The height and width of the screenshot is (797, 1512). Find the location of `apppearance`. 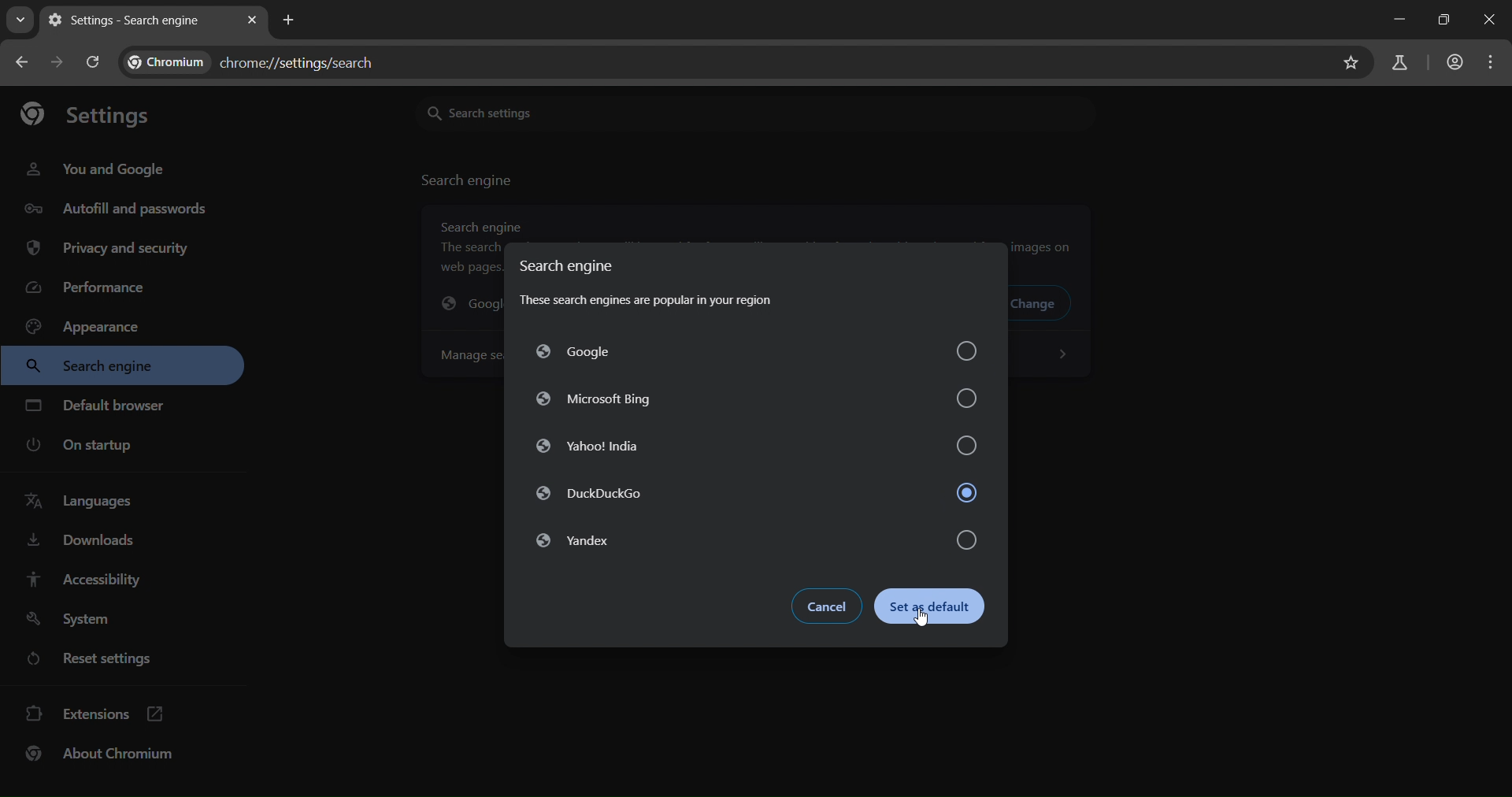

apppearance is located at coordinates (94, 325).